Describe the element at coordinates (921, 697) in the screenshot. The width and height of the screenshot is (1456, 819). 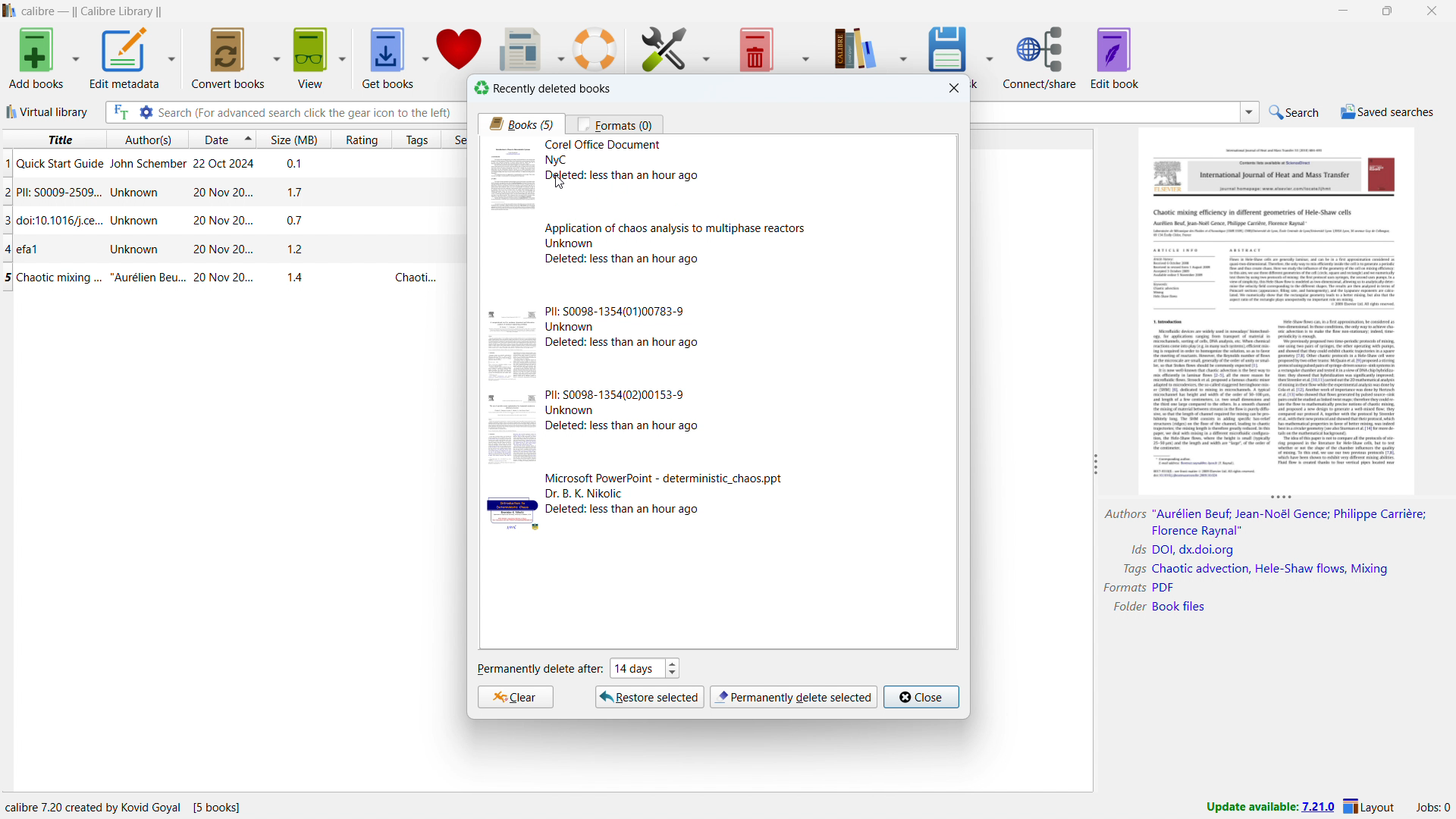
I see `close` at that location.